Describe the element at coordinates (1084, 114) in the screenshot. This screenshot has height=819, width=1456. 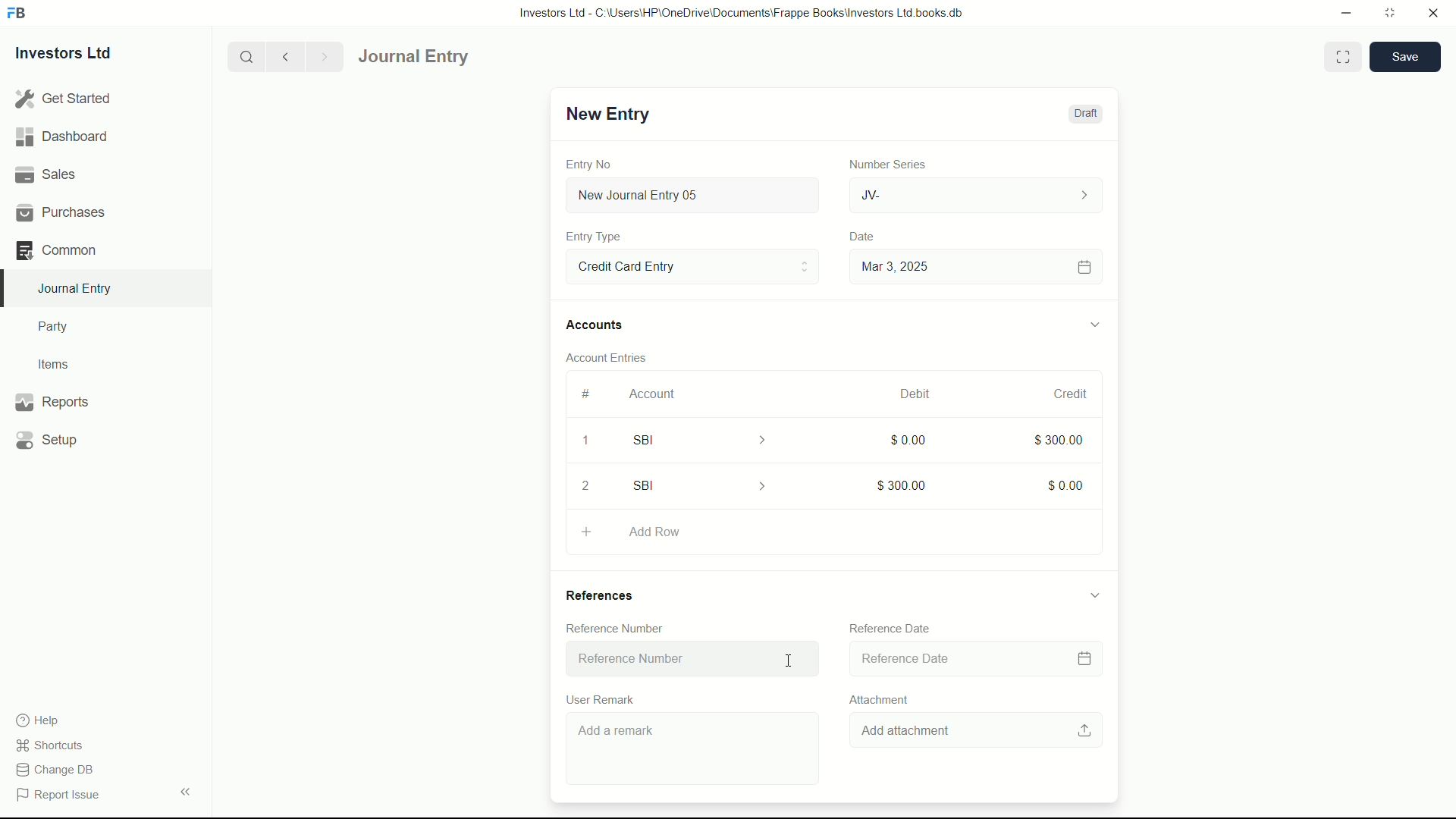
I see `Draft` at that location.